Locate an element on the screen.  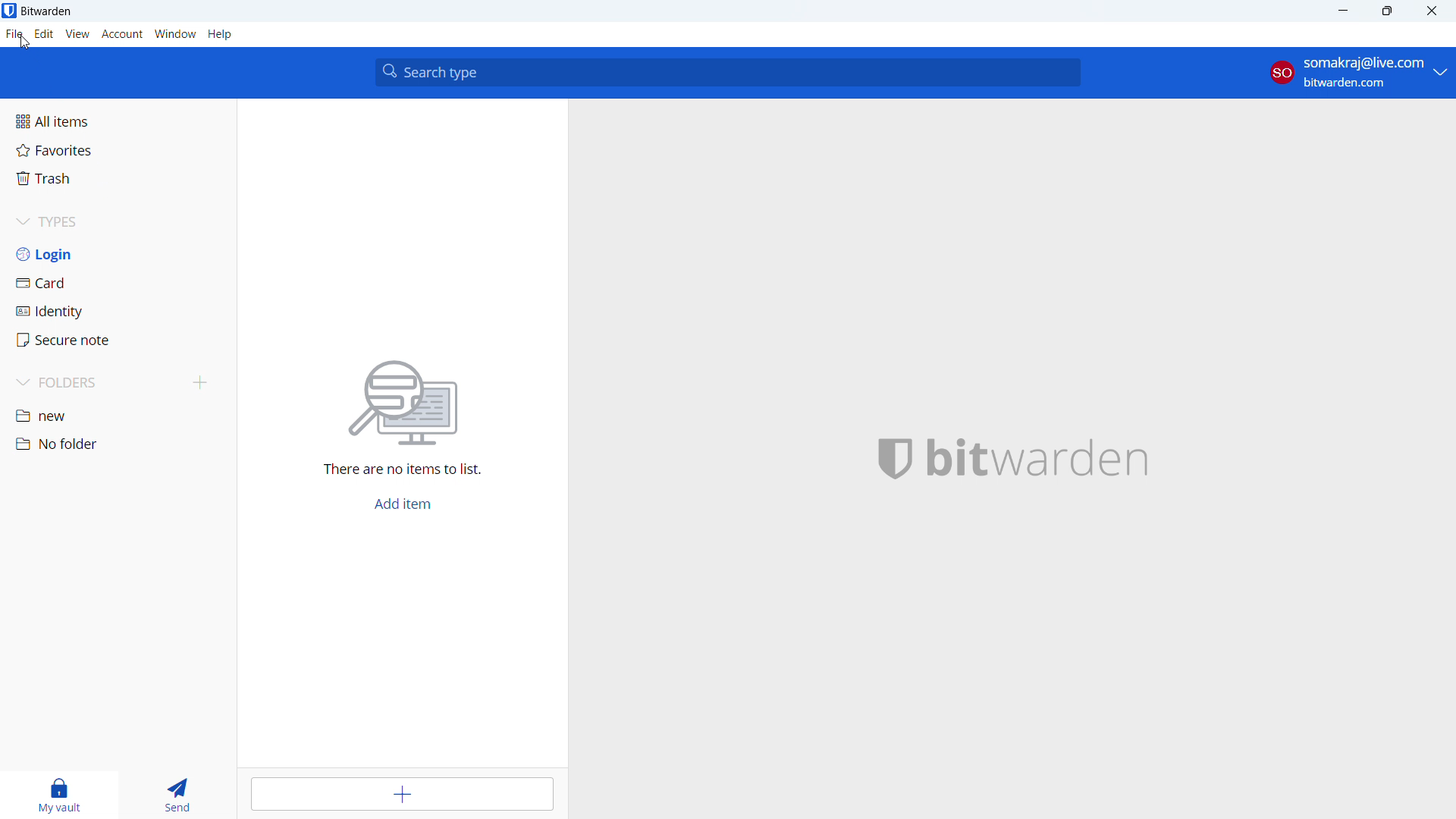
edit is located at coordinates (45, 34).